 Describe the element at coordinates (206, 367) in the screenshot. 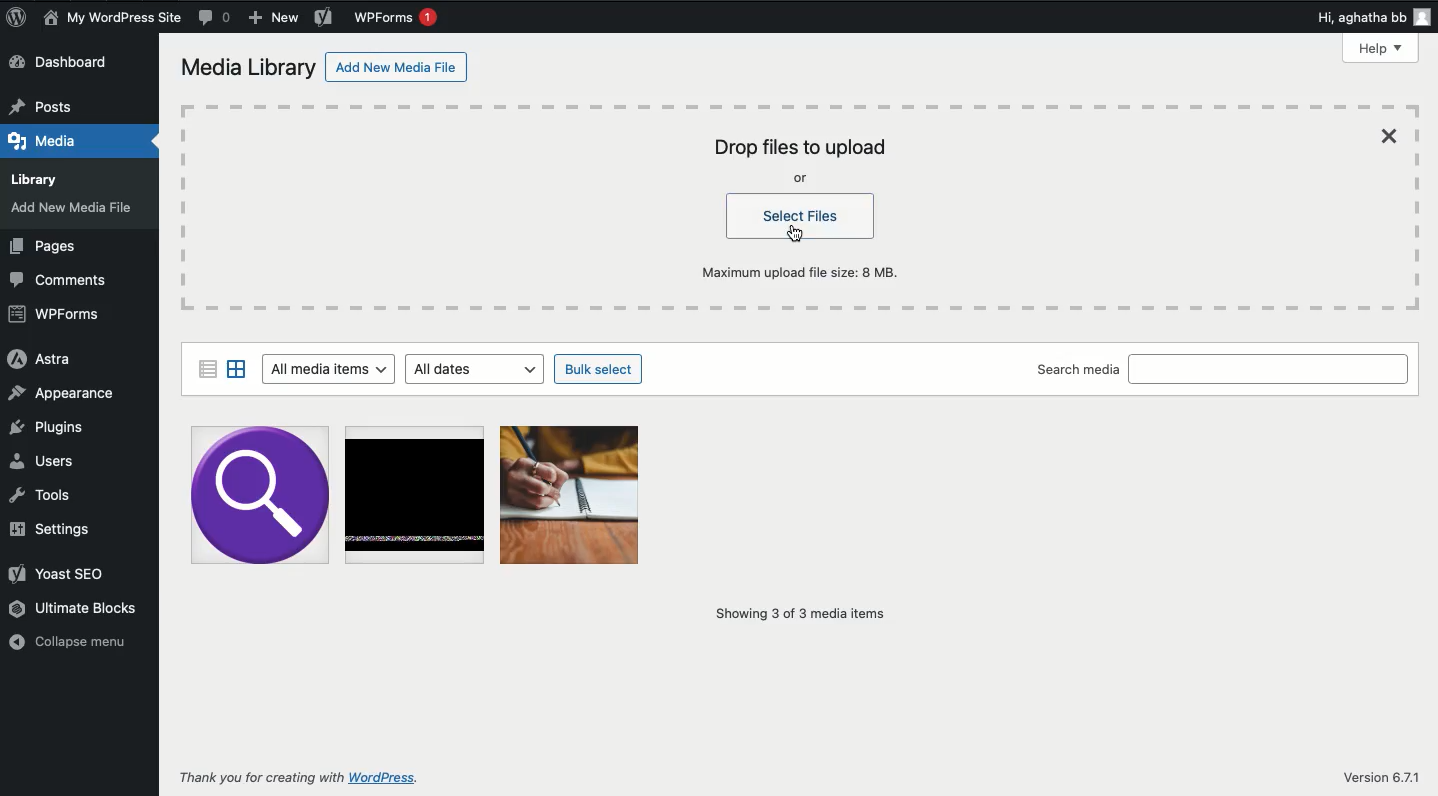

I see `Sidebar` at that location.